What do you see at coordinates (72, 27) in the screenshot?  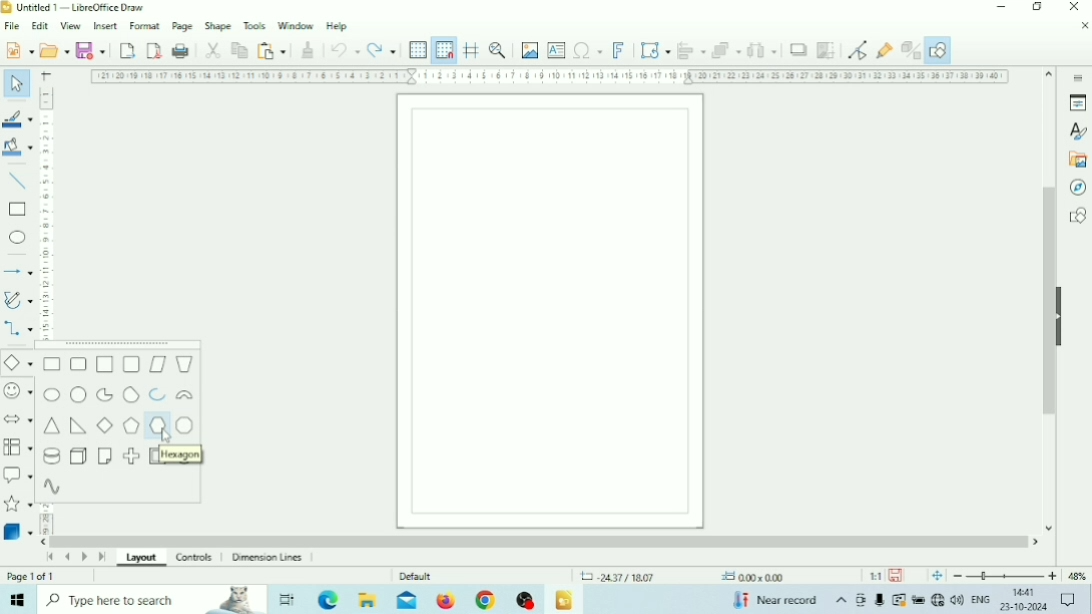 I see `View` at bounding box center [72, 27].